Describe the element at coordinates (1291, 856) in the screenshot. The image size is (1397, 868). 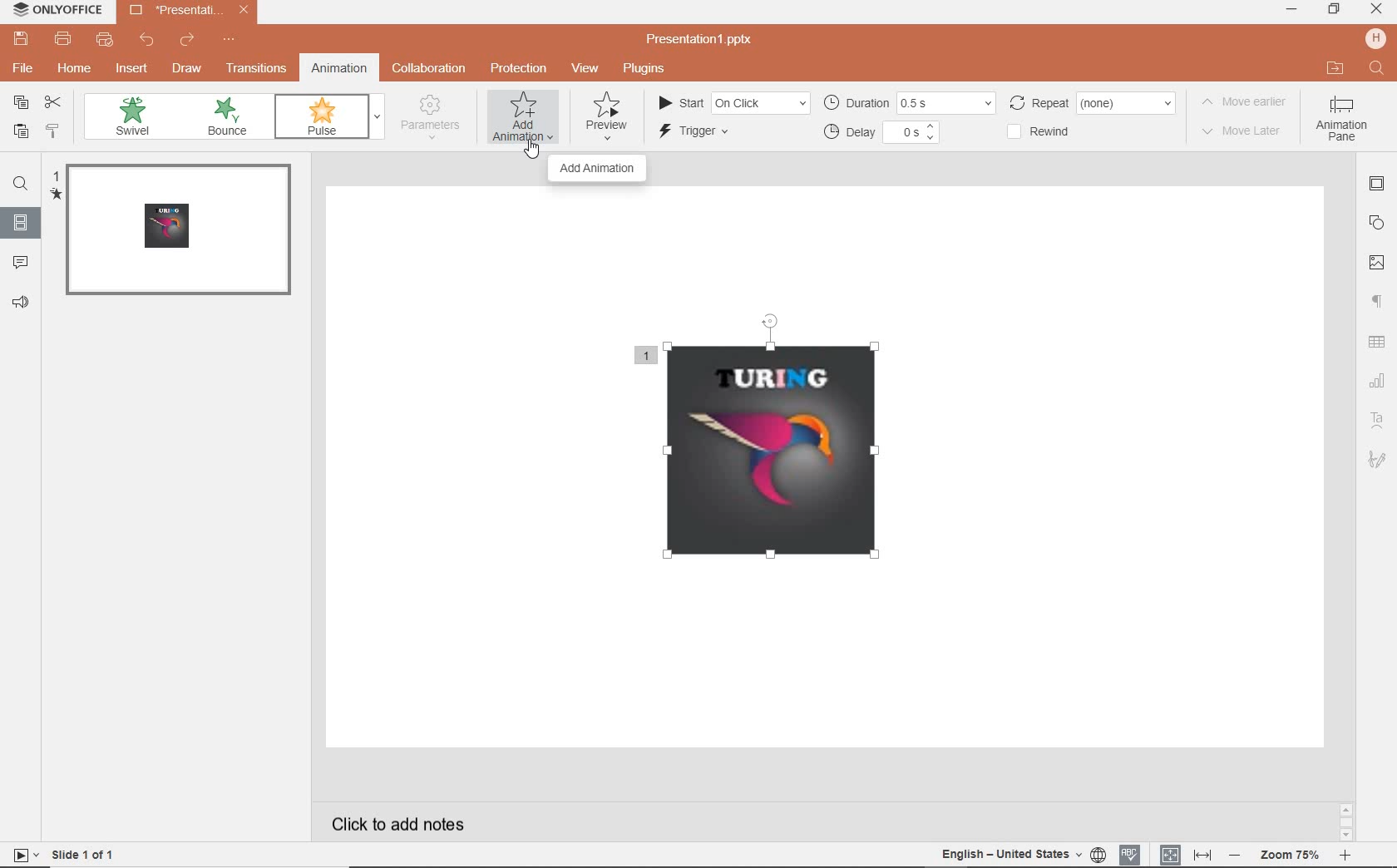
I see `zoom out or zoom in` at that location.